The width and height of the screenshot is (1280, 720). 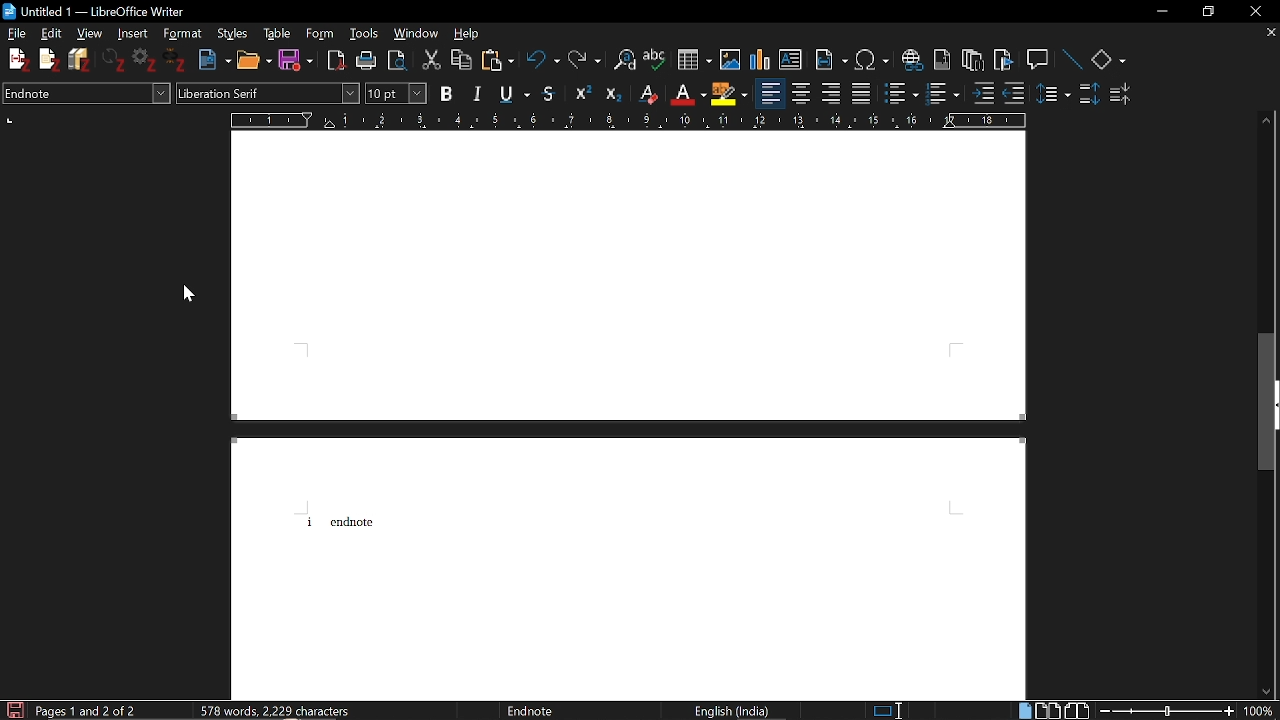 I want to click on Highlight, so click(x=732, y=94).